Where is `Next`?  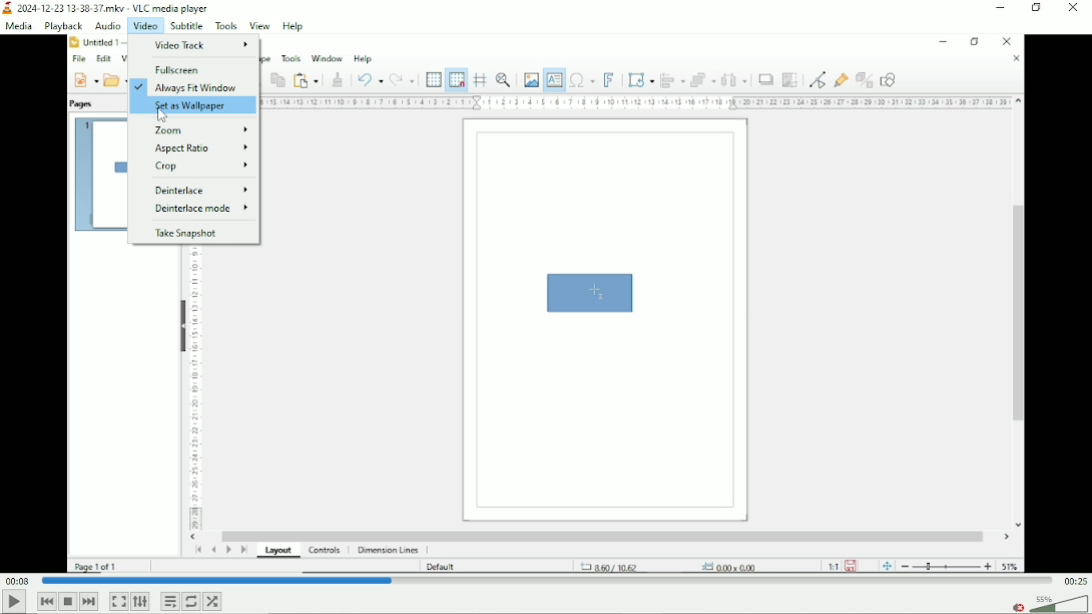 Next is located at coordinates (89, 602).